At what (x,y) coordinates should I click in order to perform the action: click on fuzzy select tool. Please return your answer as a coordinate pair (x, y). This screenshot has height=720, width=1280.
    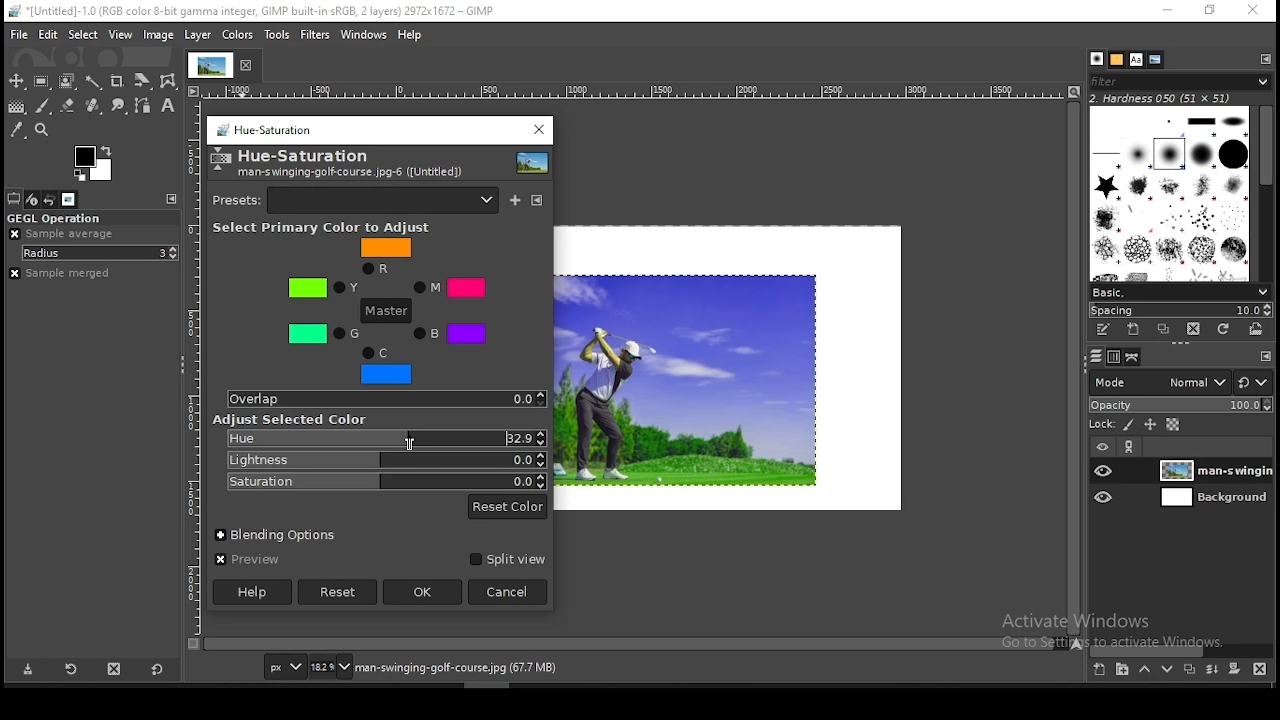
    Looking at the image, I should click on (92, 82).